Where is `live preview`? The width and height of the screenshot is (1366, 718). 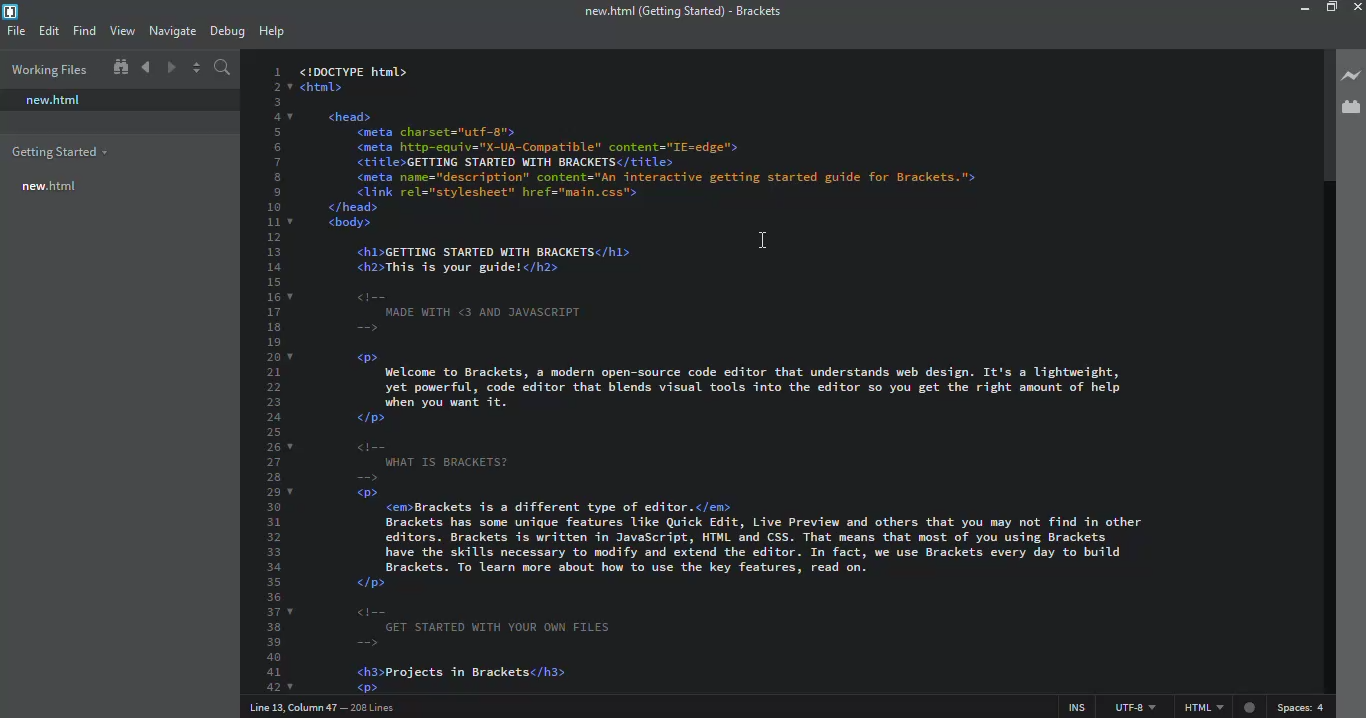 live preview is located at coordinates (1351, 75).